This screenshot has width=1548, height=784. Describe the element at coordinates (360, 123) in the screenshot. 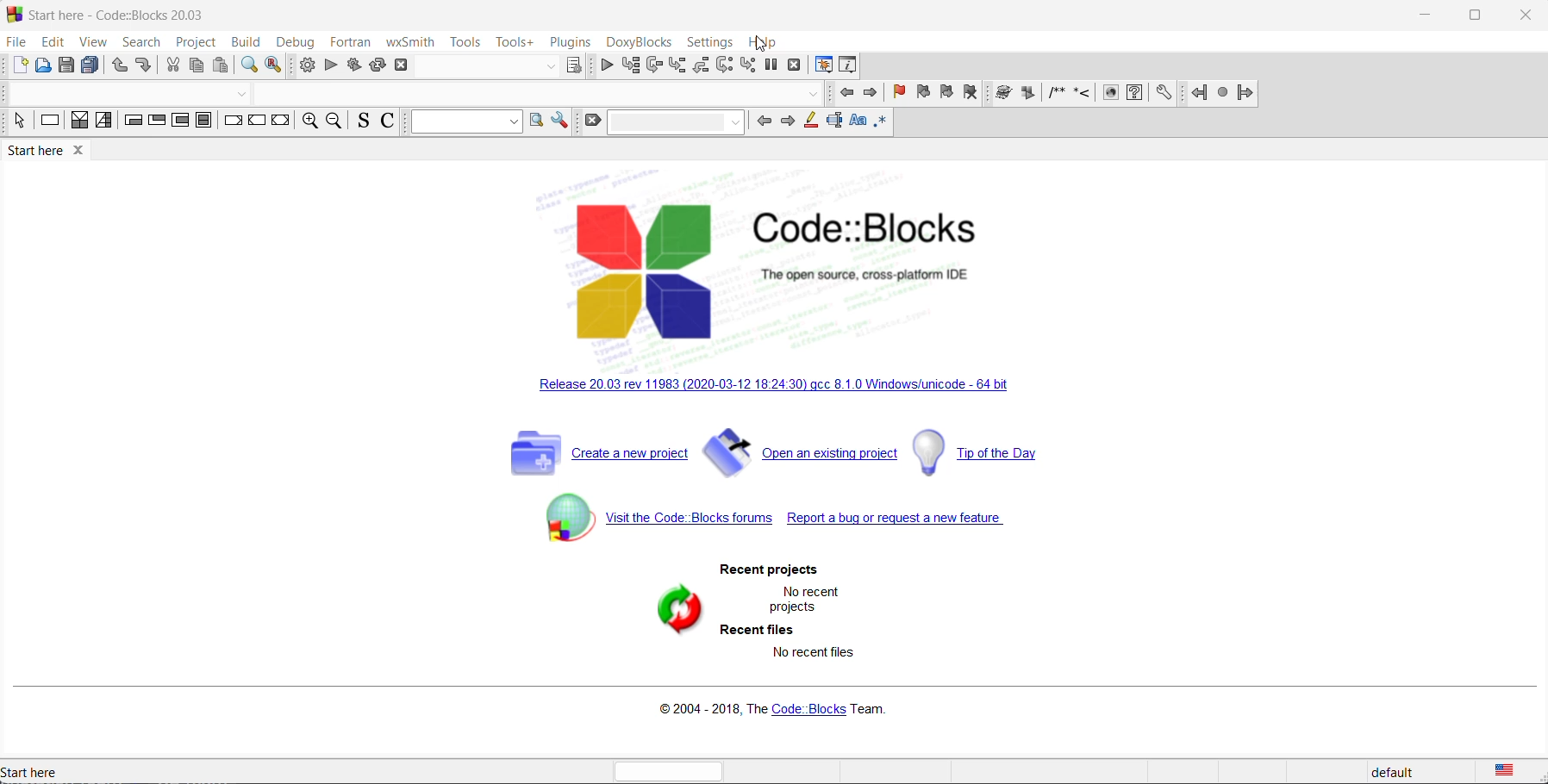

I see `toggle source` at that location.